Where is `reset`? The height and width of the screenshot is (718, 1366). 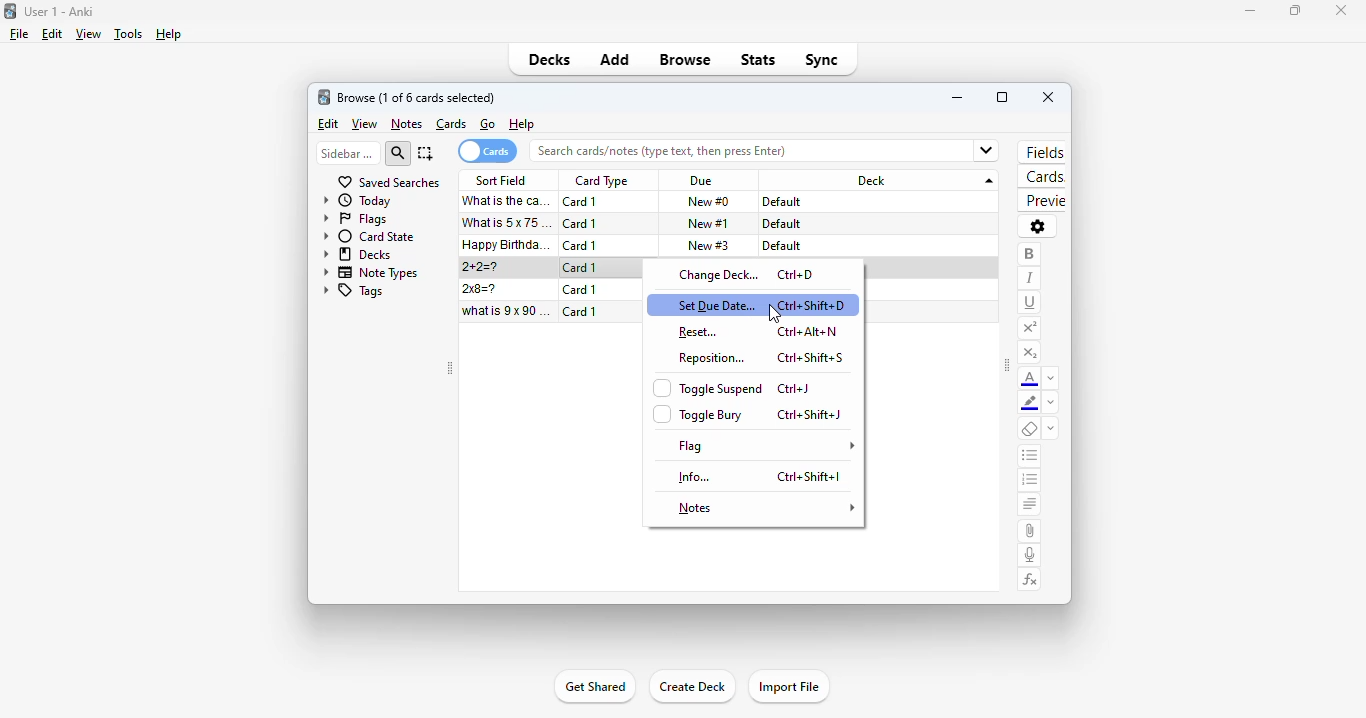
reset is located at coordinates (697, 332).